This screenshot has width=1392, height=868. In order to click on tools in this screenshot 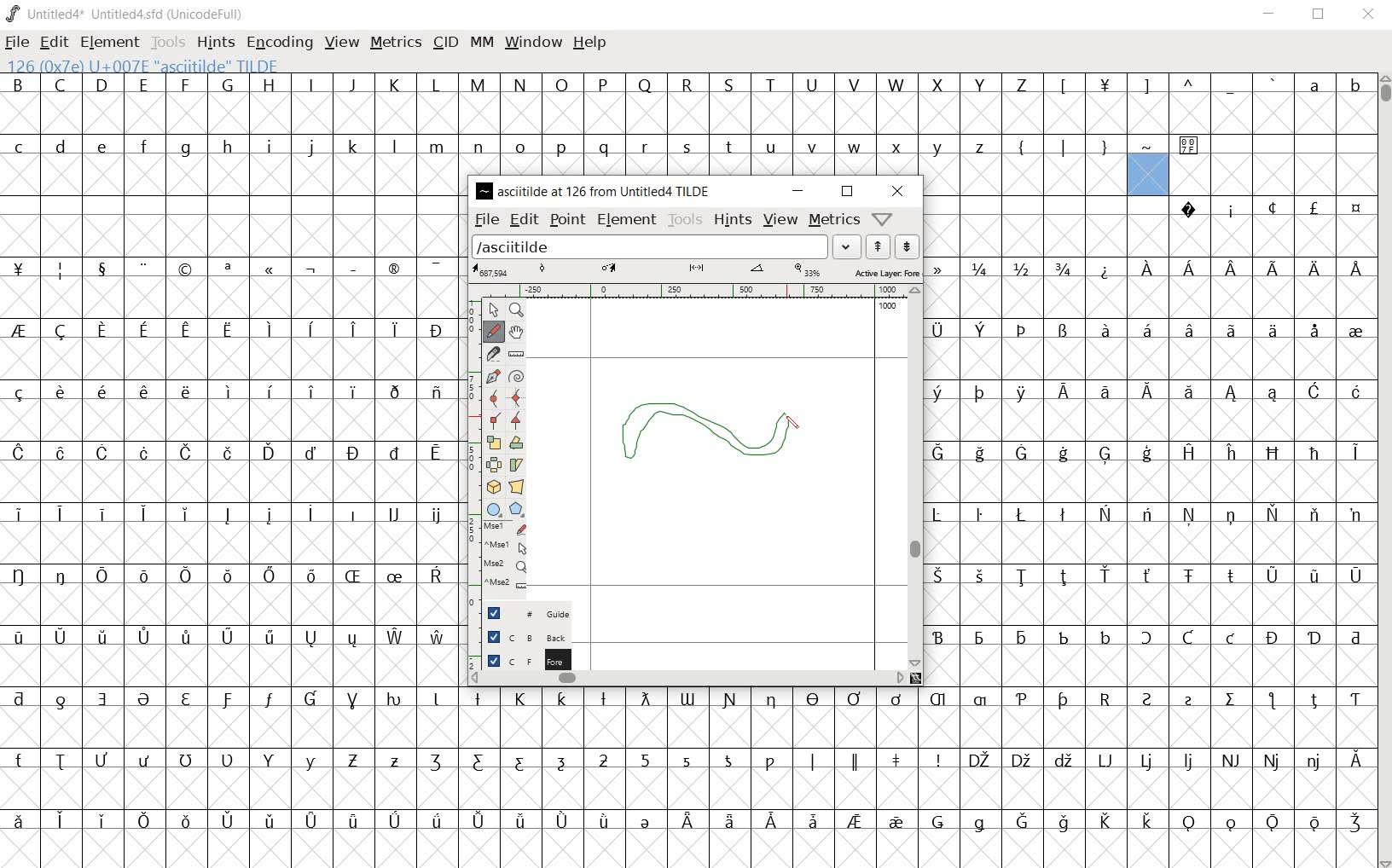, I will do `click(685, 221)`.